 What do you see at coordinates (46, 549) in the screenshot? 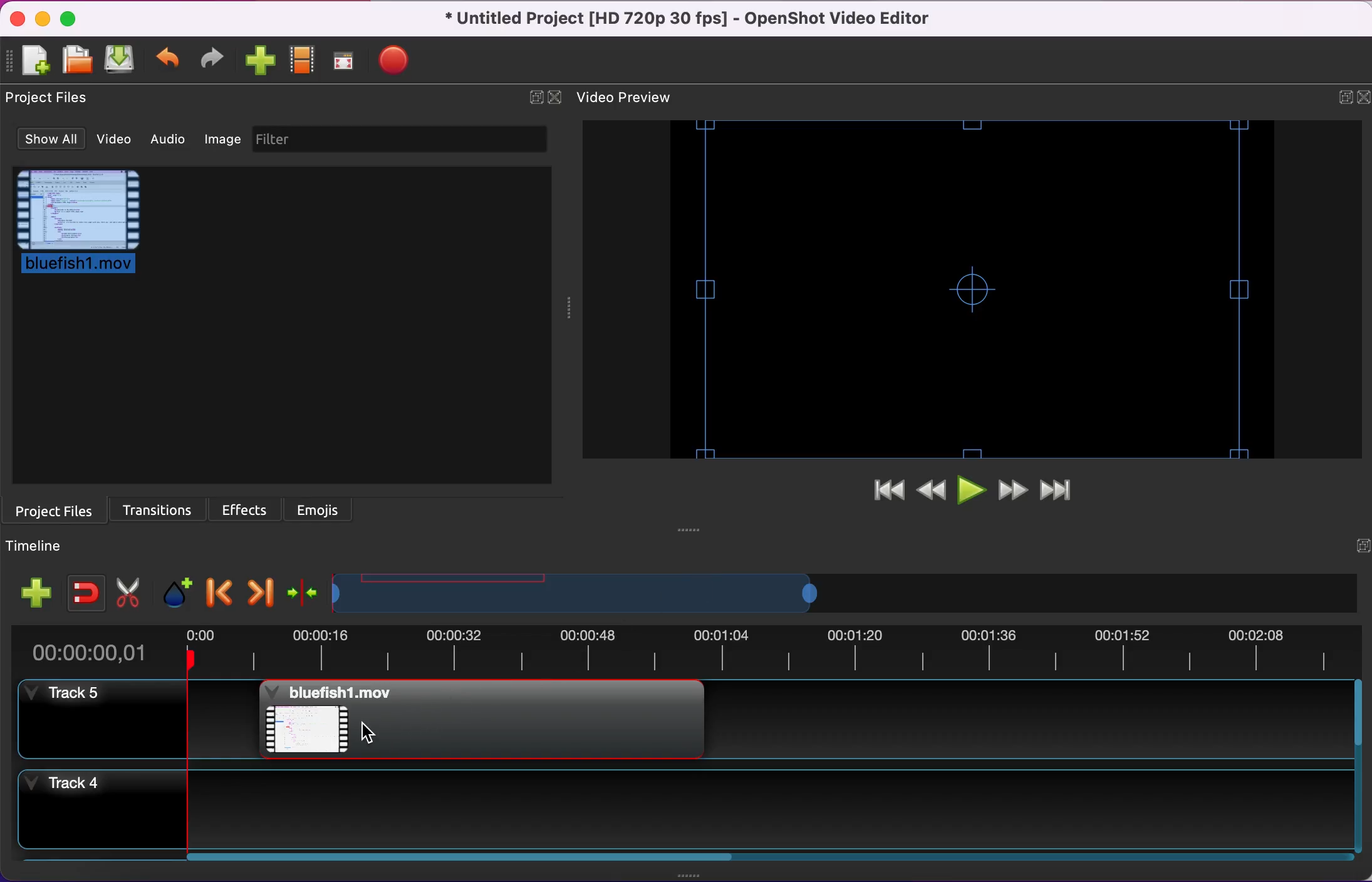
I see `timeline` at bounding box center [46, 549].